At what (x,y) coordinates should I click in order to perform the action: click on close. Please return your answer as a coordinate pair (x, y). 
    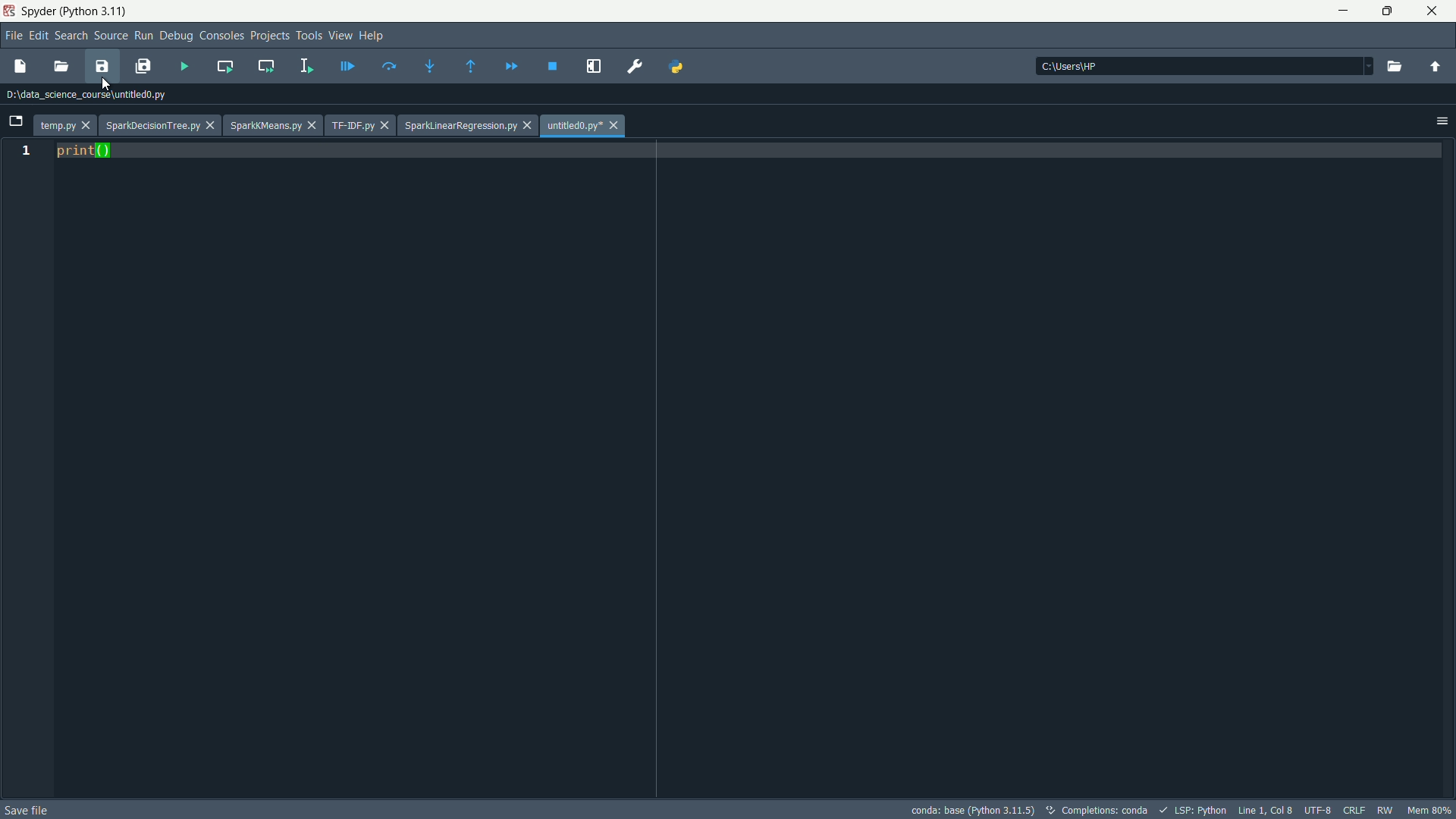
    Looking at the image, I should click on (1432, 13).